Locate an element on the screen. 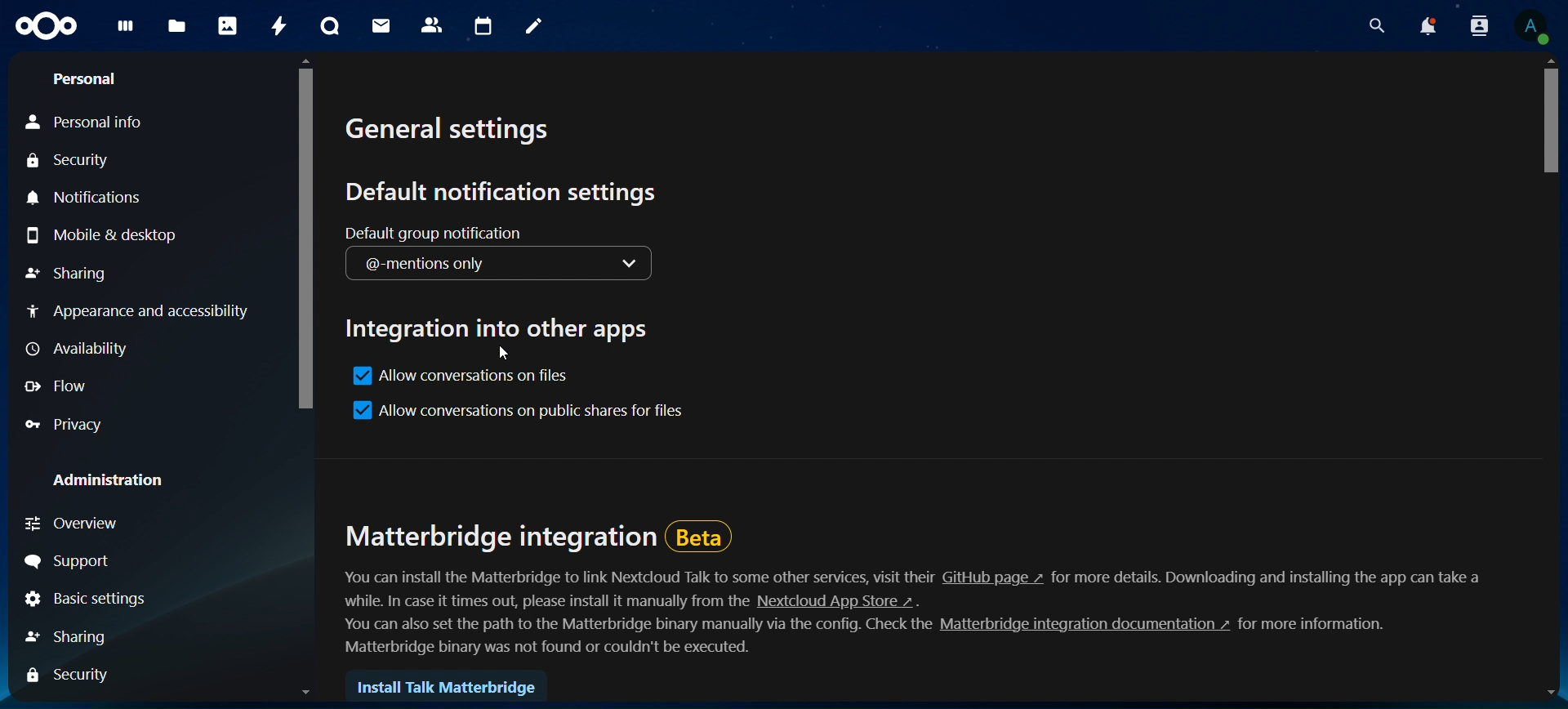 The image size is (1568, 709). default notification settings is located at coordinates (508, 192).